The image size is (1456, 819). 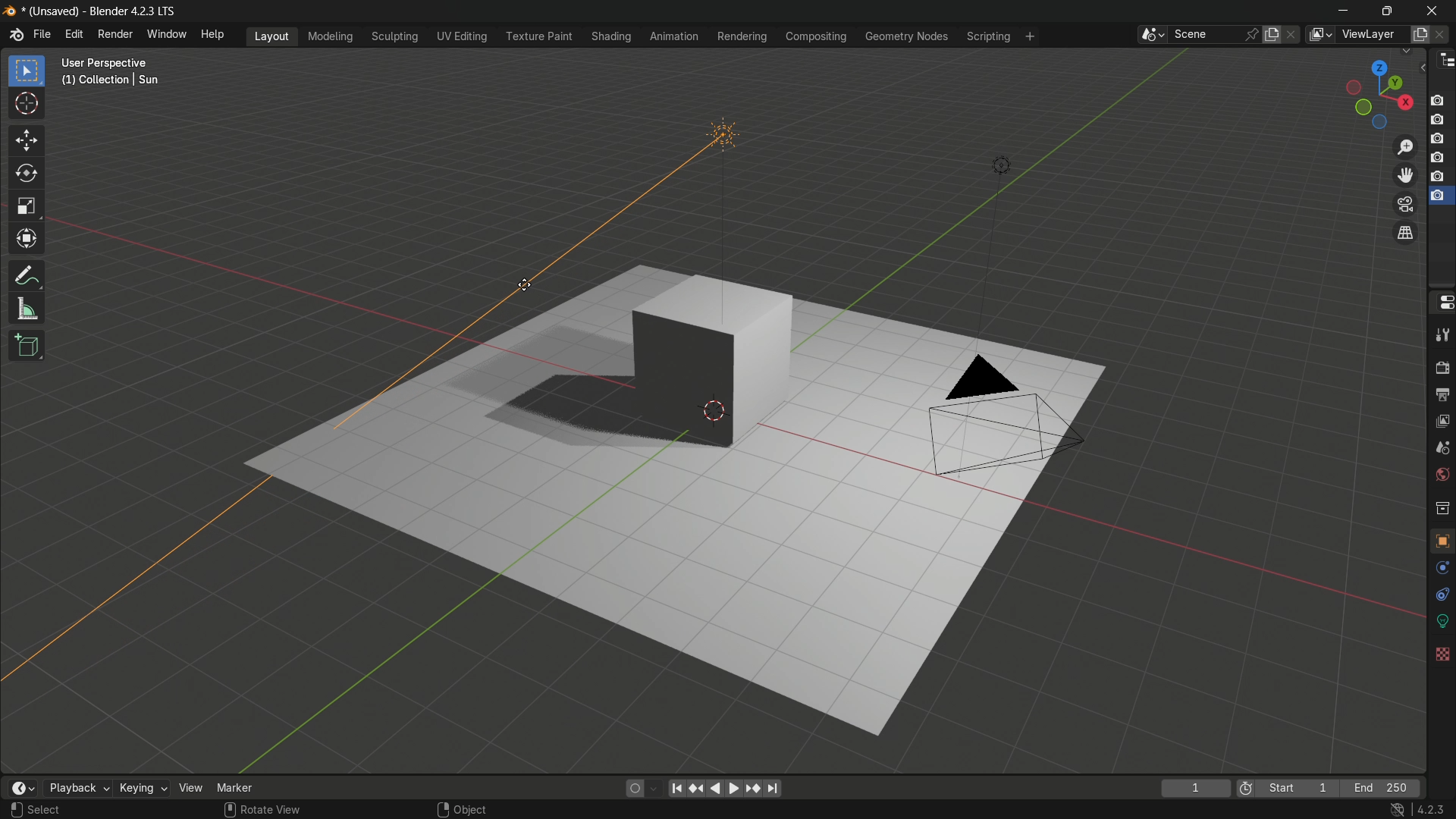 What do you see at coordinates (111, 80) in the screenshot?
I see `(1) Collection | Sun` at bounding box center [111, 80].